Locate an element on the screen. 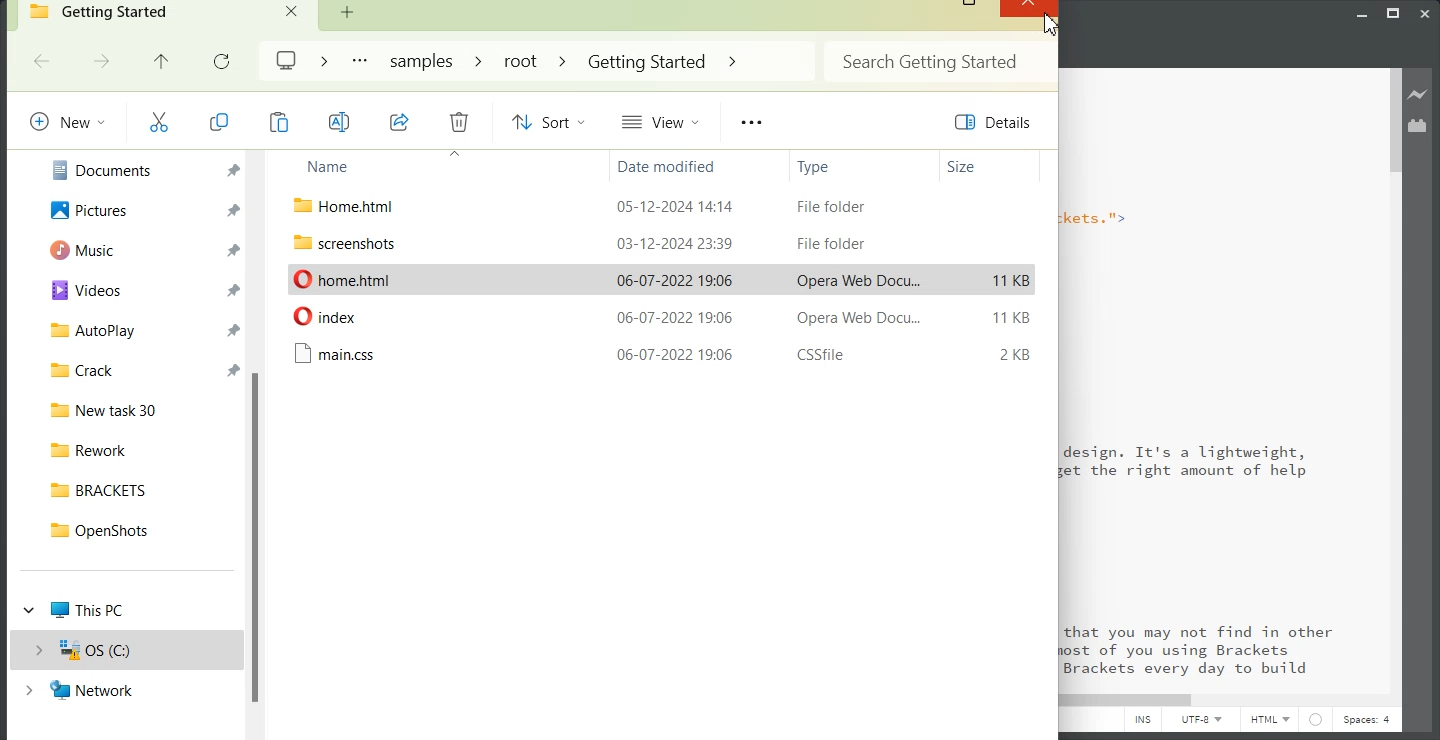 Image resolution: width=1440 pixels, height=740 pixels. Videos is located at coordinates (138, 291).